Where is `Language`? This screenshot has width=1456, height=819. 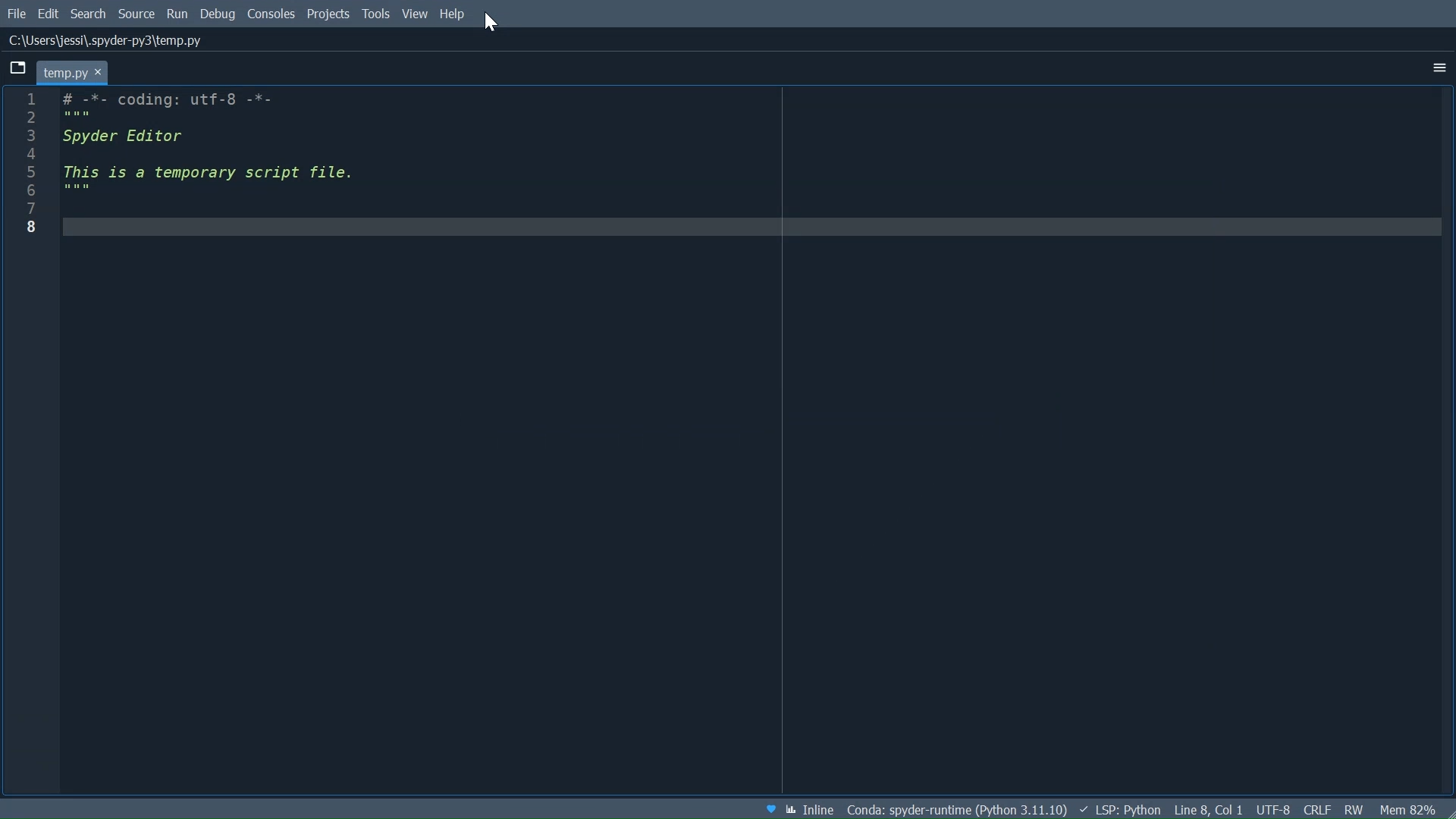
Language is located at coordinates (1120, 808).